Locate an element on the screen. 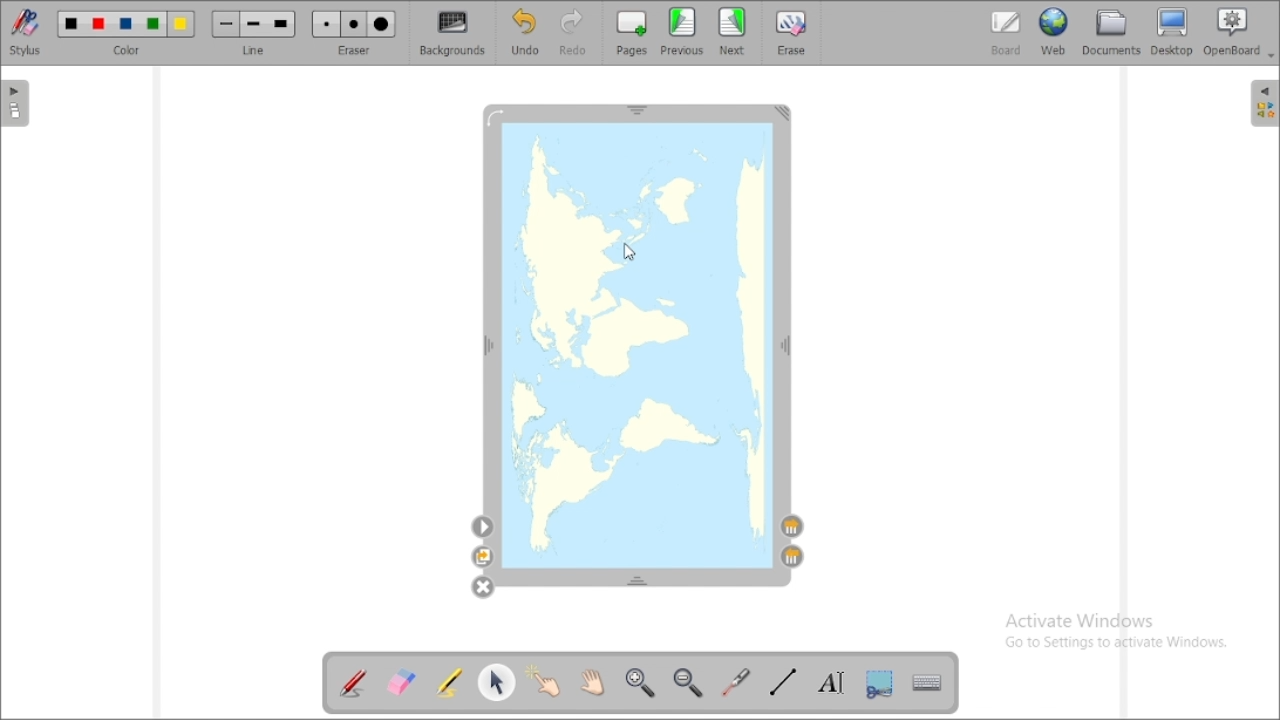  sidebar settings is located at coordinates (1262, 103).